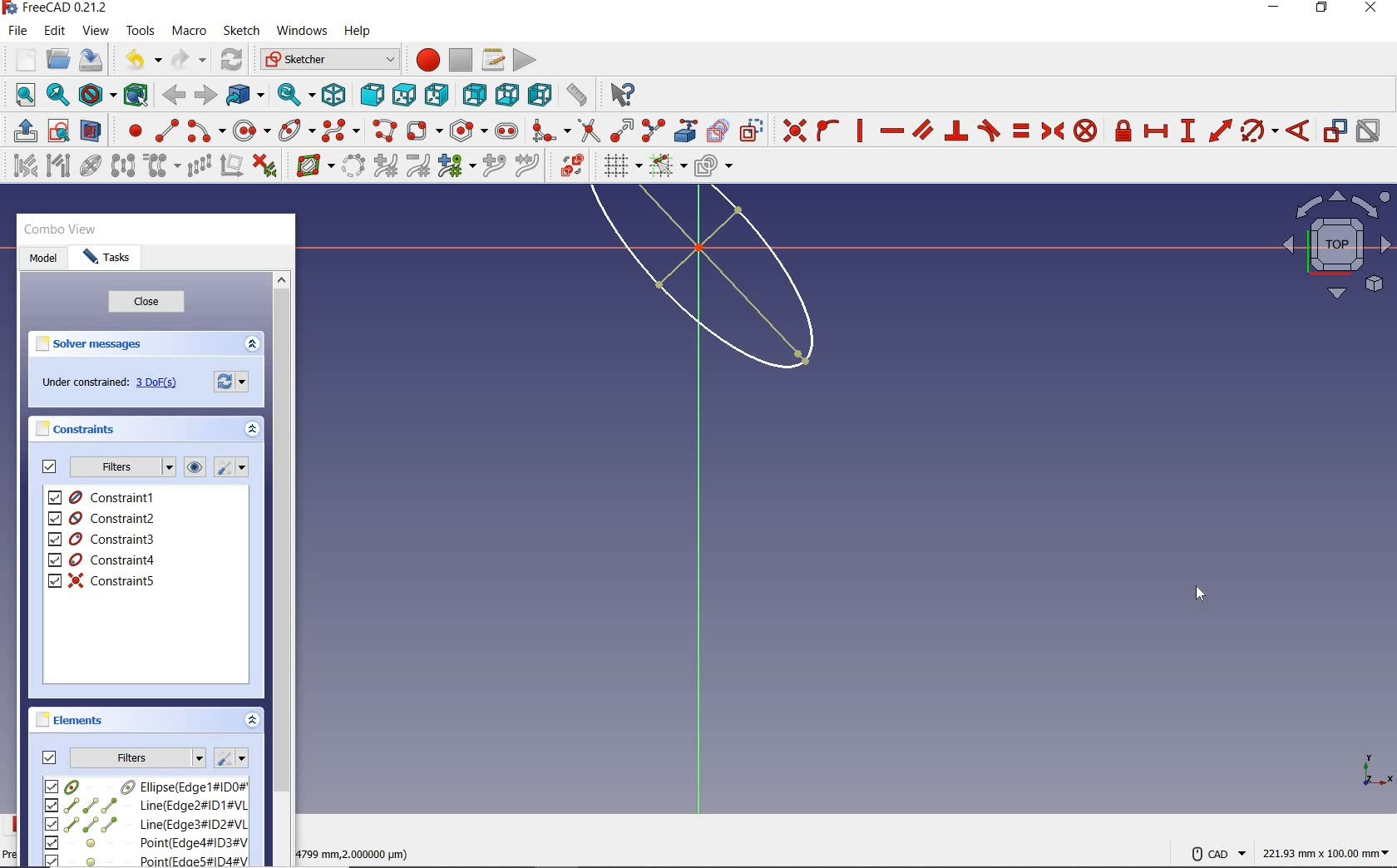  I want to click on back, so click(173, 96).